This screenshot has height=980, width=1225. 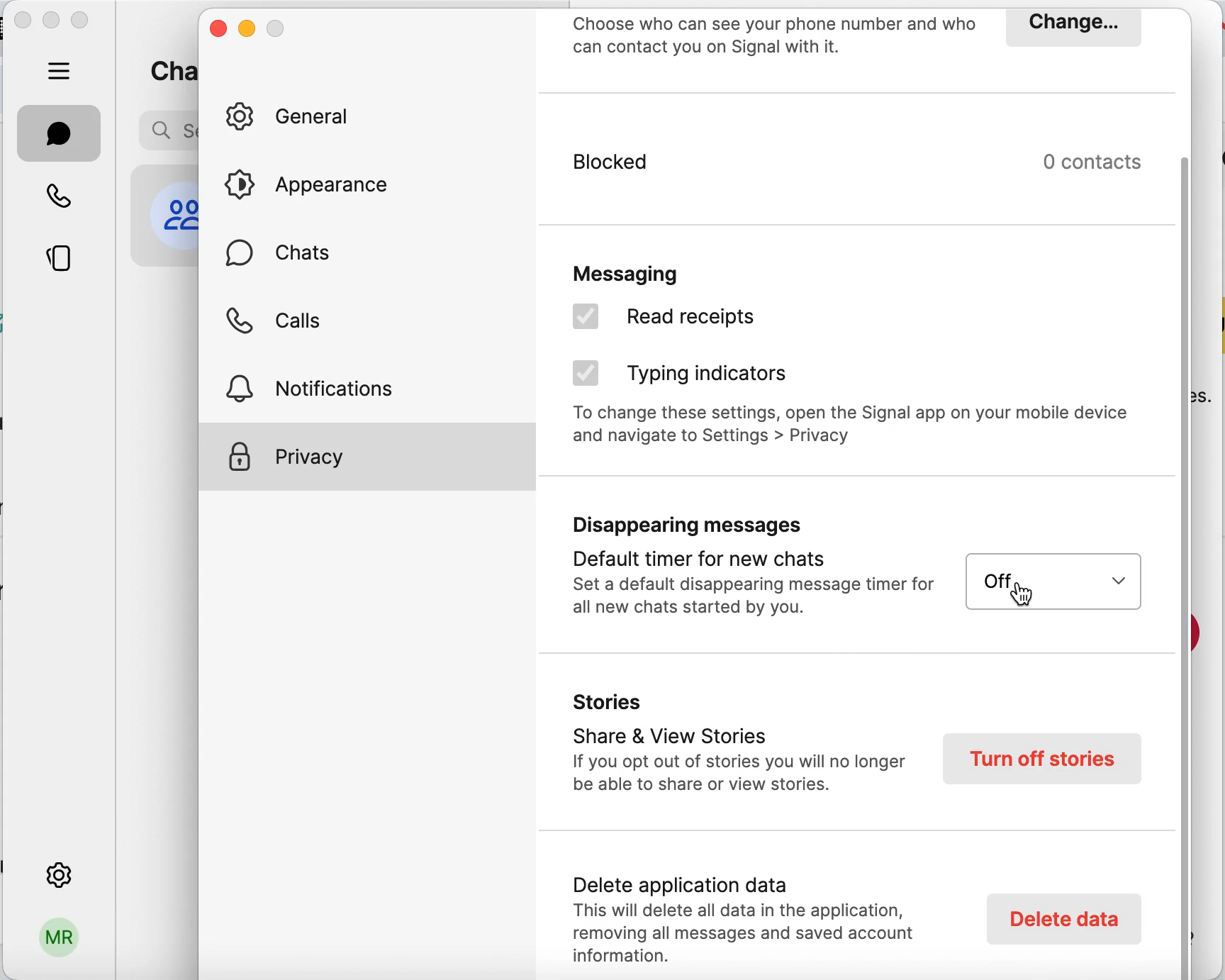 I want to click on 0 contacts, so click(x=1102, y=162).